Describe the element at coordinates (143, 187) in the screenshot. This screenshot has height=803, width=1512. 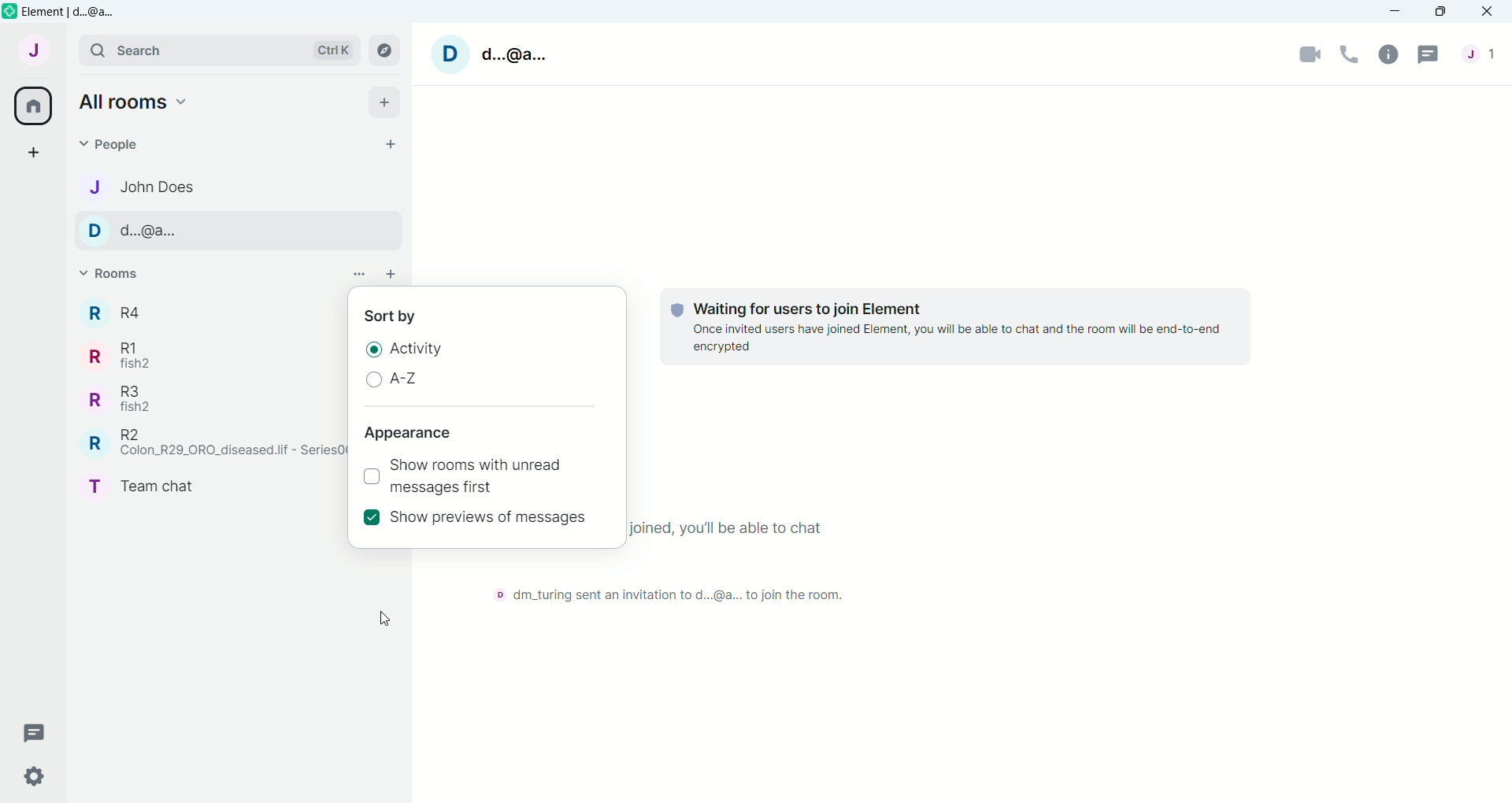
I see `J John Does` at that location.